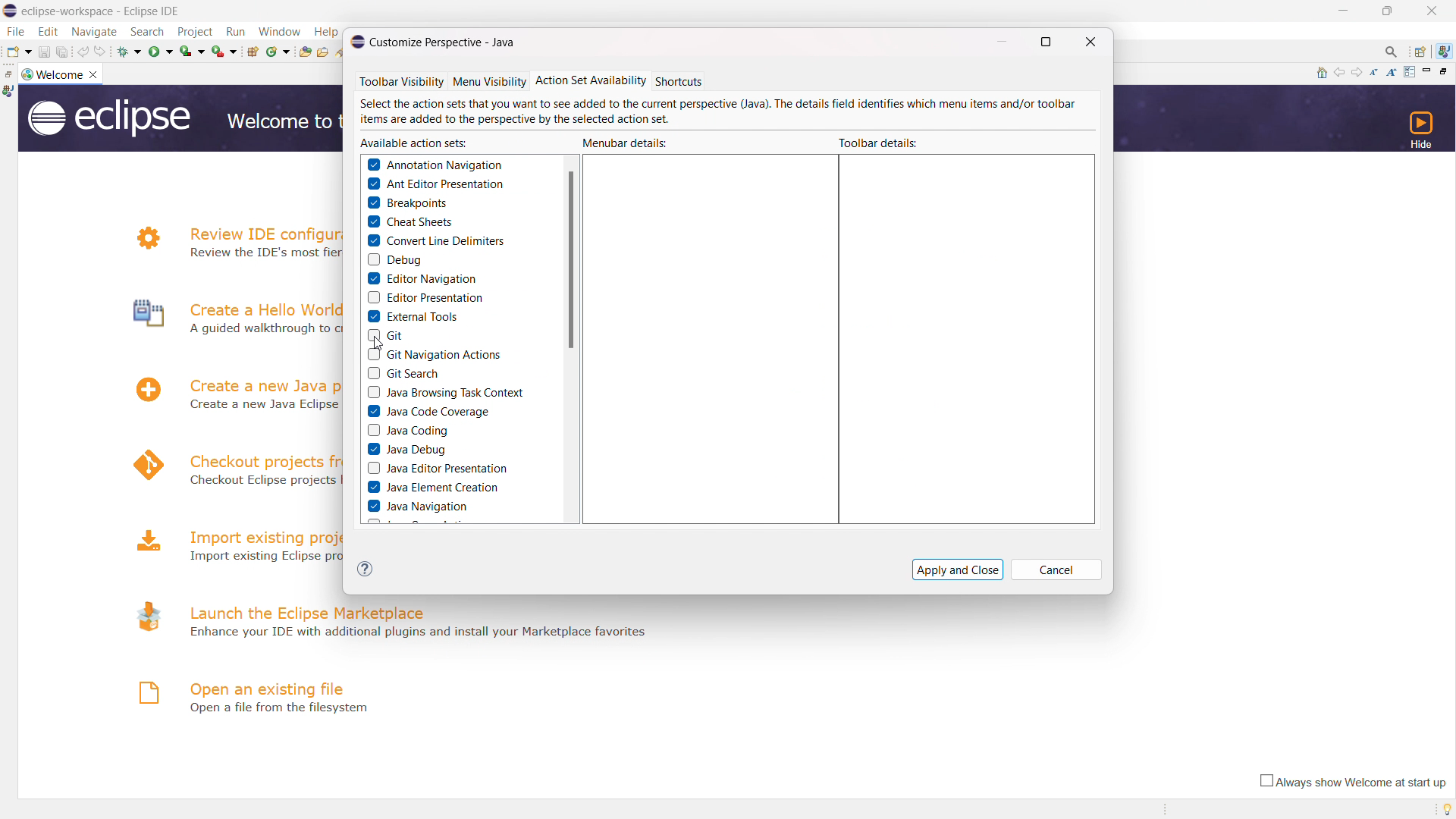 The height and width of the screenshot is (819, 1456). What do you see at coordinates (421, 279) in the screenshot?
I see `editor navigation` at bounding box center [421, 279].